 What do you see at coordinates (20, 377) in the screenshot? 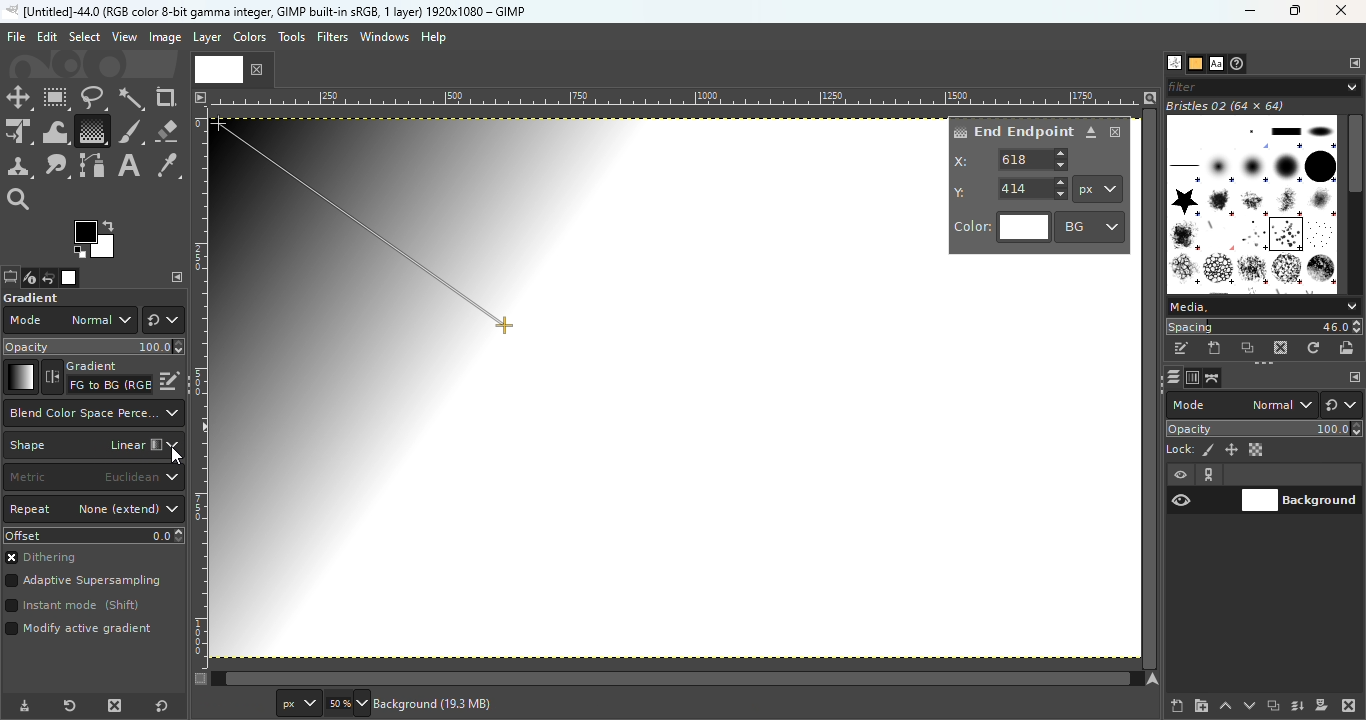
I see `Gradient` at bounding box center [20, 377].